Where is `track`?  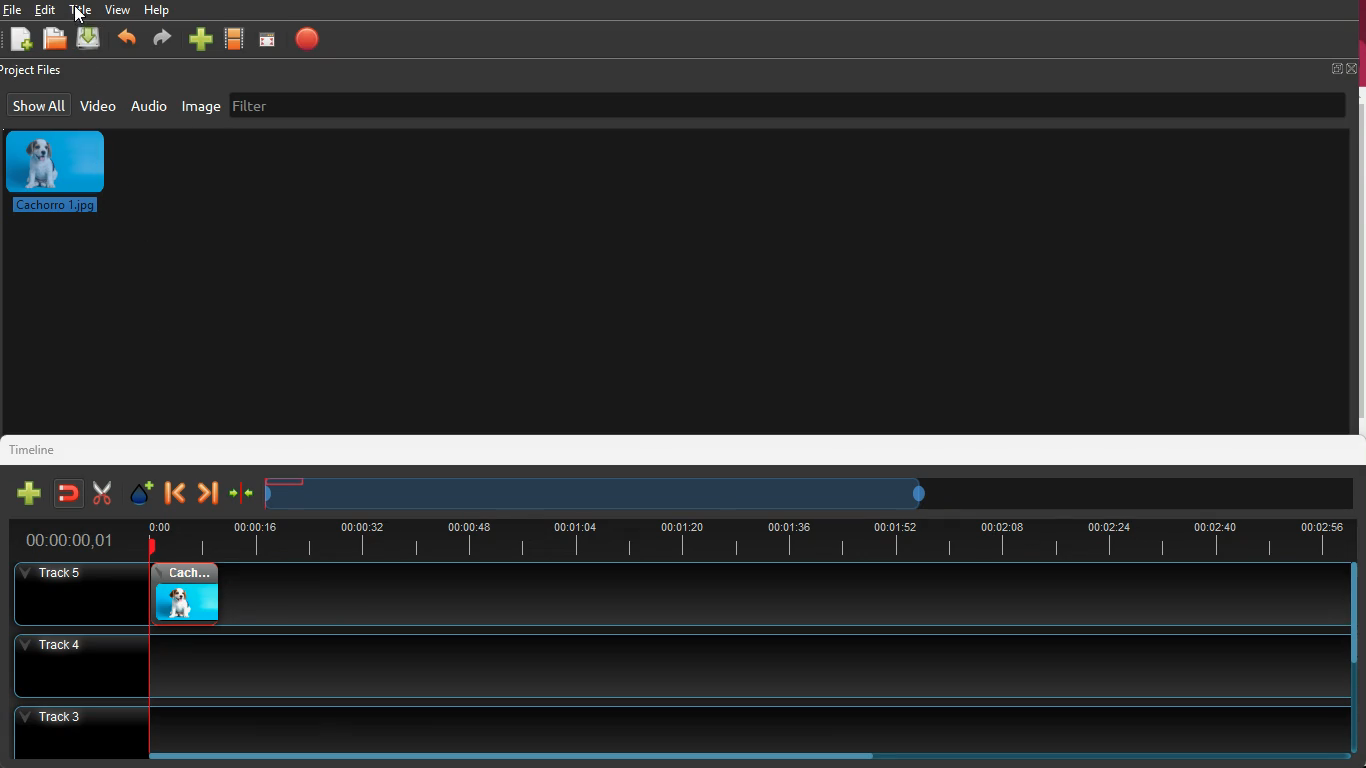 track is located at coordinates (674, 664).